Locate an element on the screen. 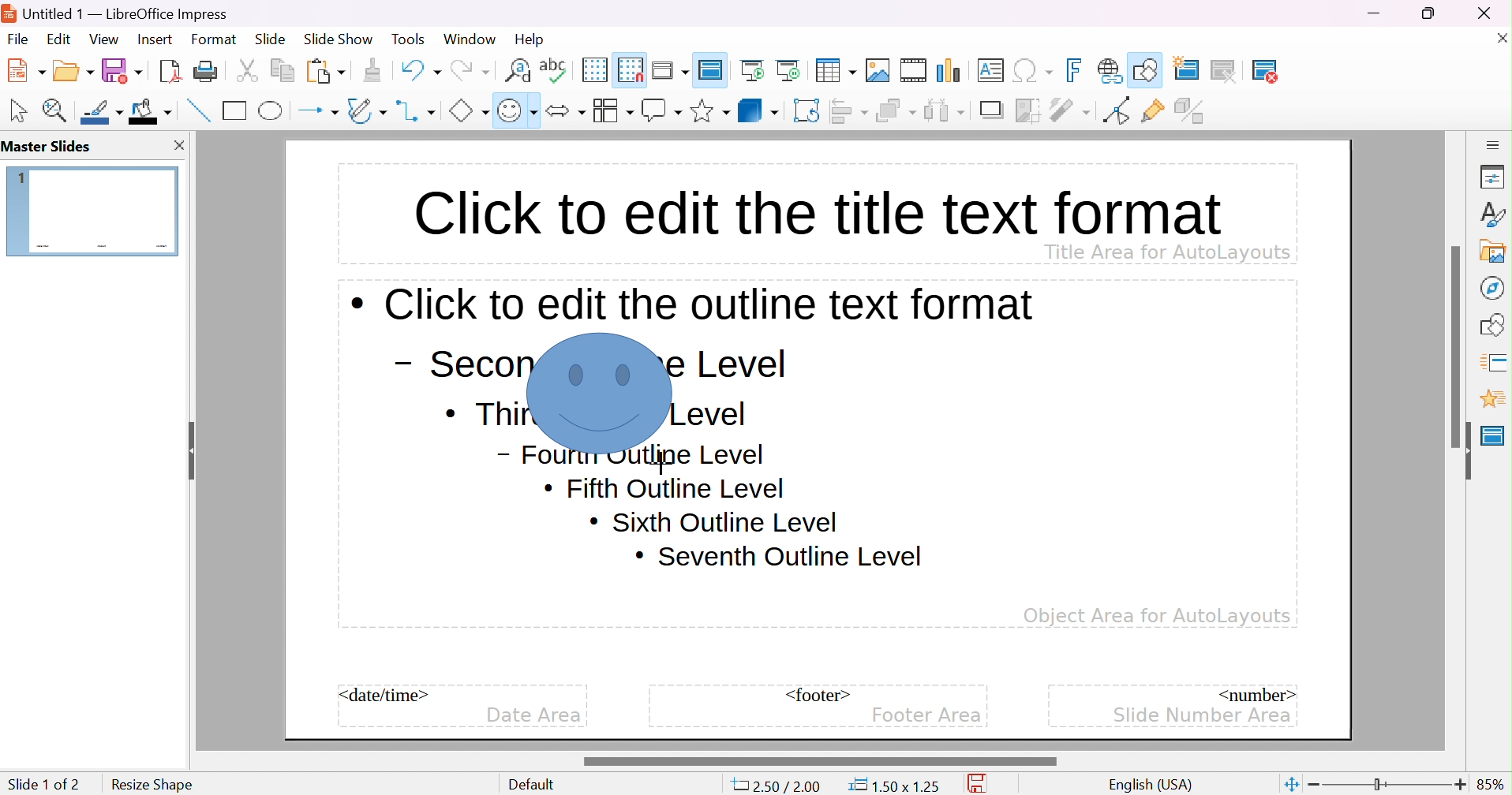 This screenshot has height=795, width=1512. show gluepoint functions is located at coordinates (1153, 111).